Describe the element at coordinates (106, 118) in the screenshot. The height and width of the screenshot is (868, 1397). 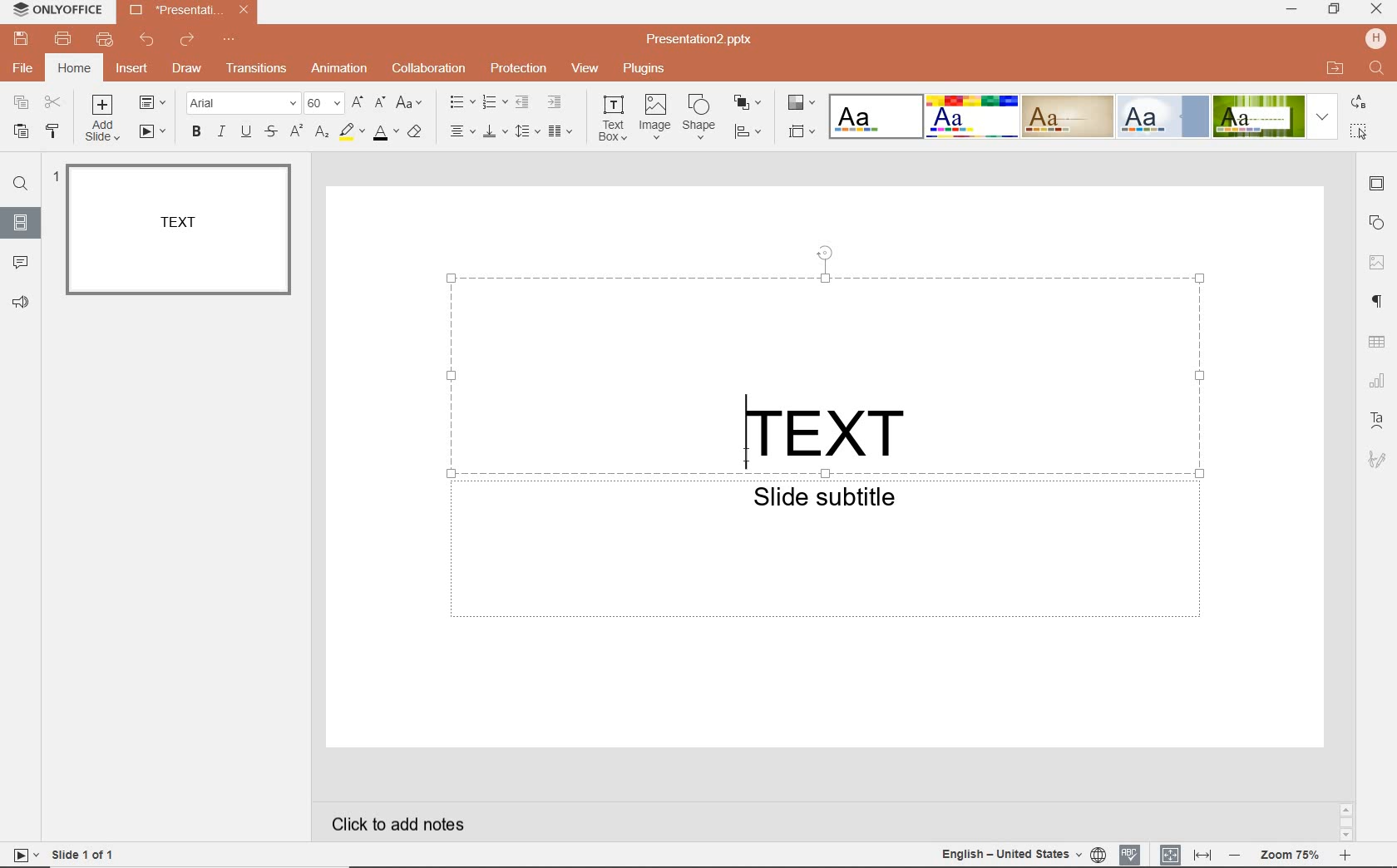
I see `ADD SLIDE` at that location.